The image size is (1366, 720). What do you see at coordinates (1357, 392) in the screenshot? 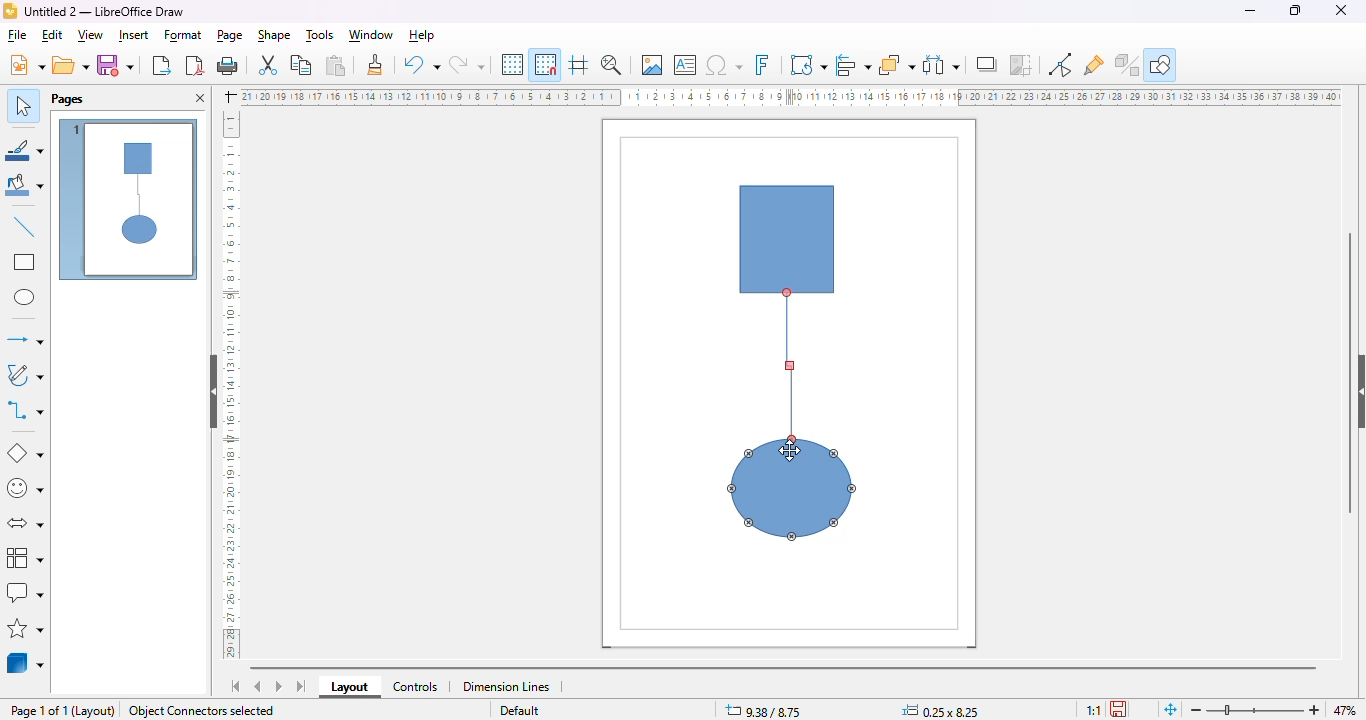
I see `show` at bounding box center [1357, 392].